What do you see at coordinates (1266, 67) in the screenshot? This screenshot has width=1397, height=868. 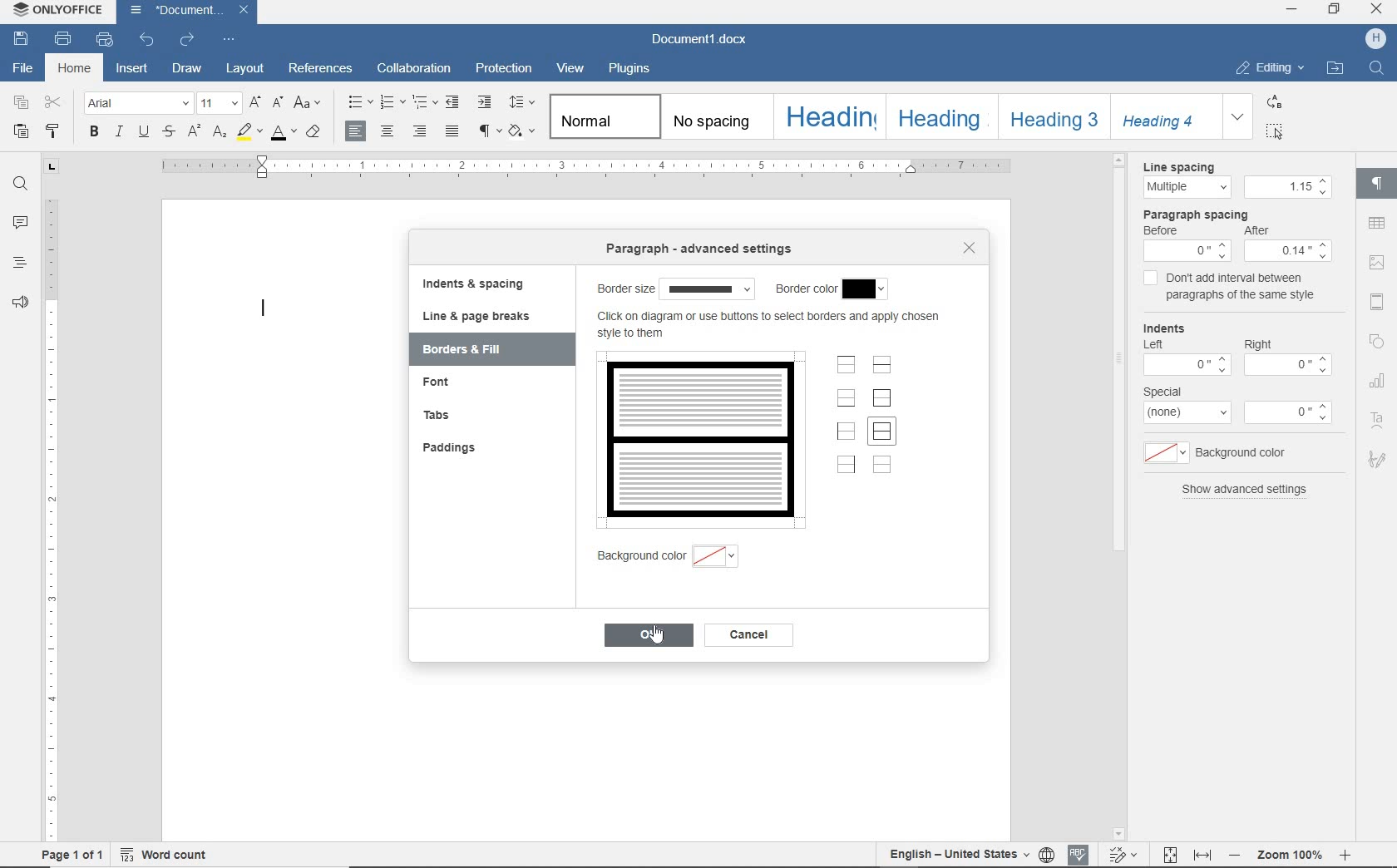 I see `EDITING` at bounding box center [1266, 67].